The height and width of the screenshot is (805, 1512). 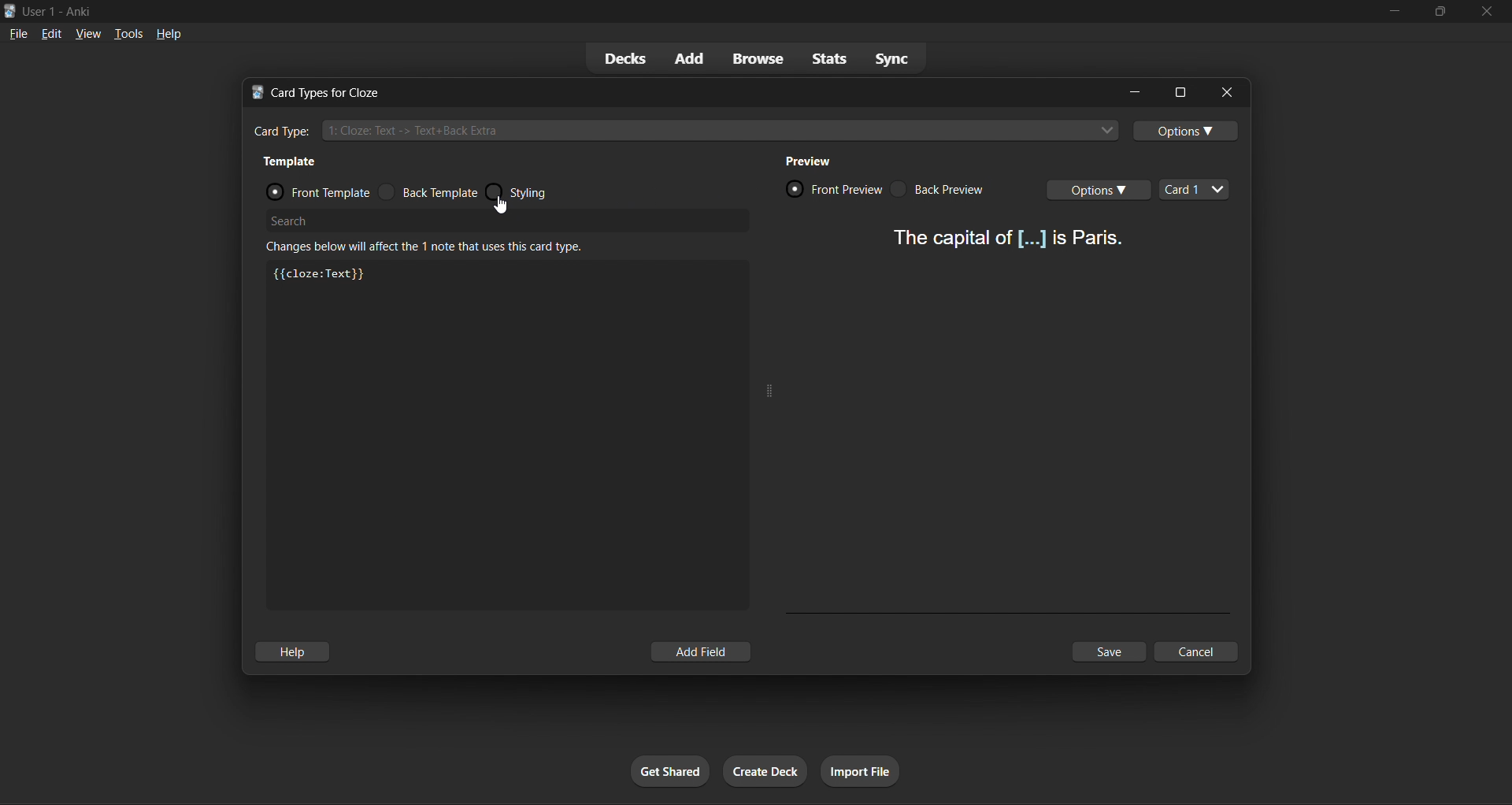 What do you see at coordinates (1485, 10) in the screenshot?
I see `close` at bounding box center [1485, 10].